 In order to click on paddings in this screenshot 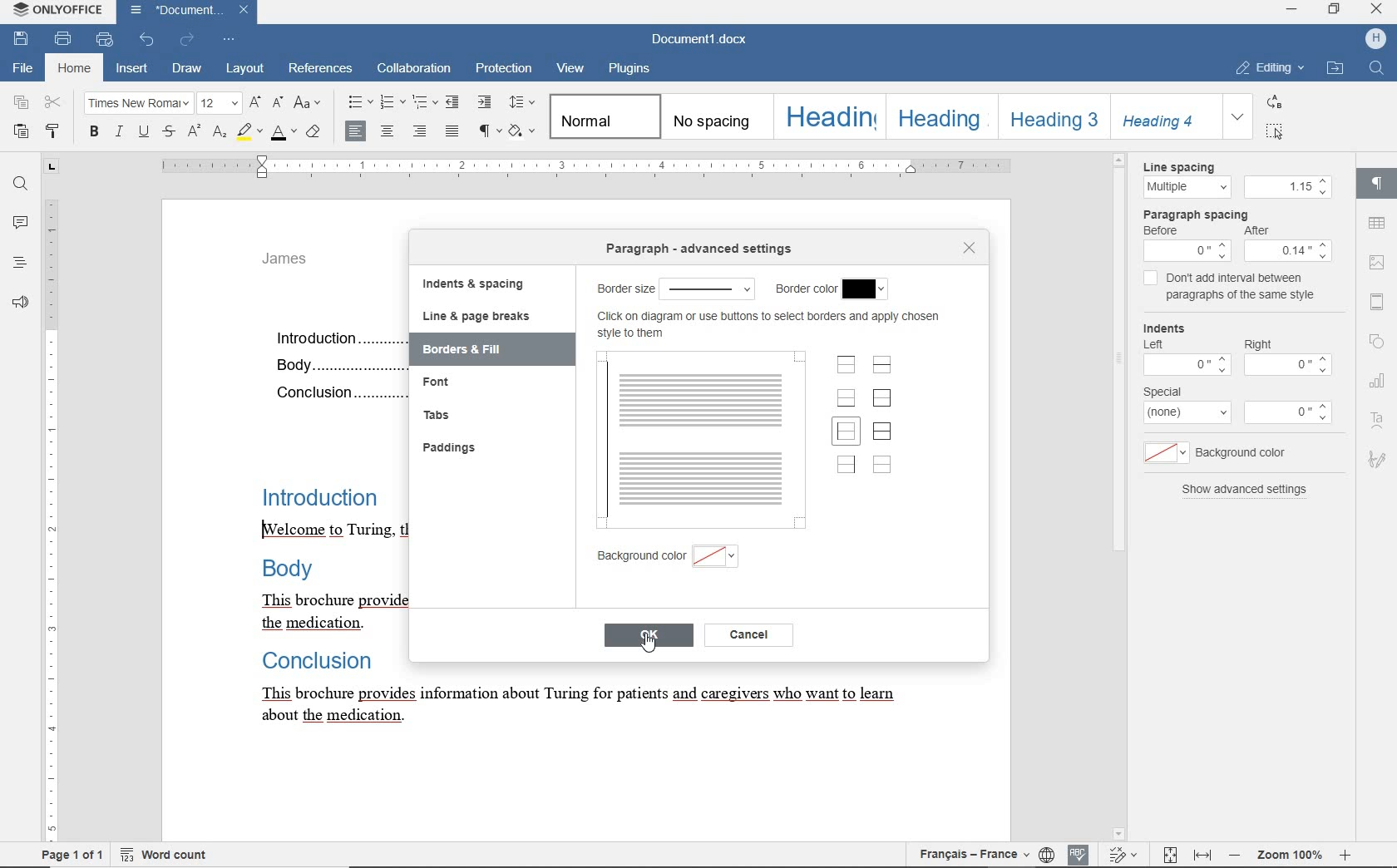, I will do `click(452, 446)`.